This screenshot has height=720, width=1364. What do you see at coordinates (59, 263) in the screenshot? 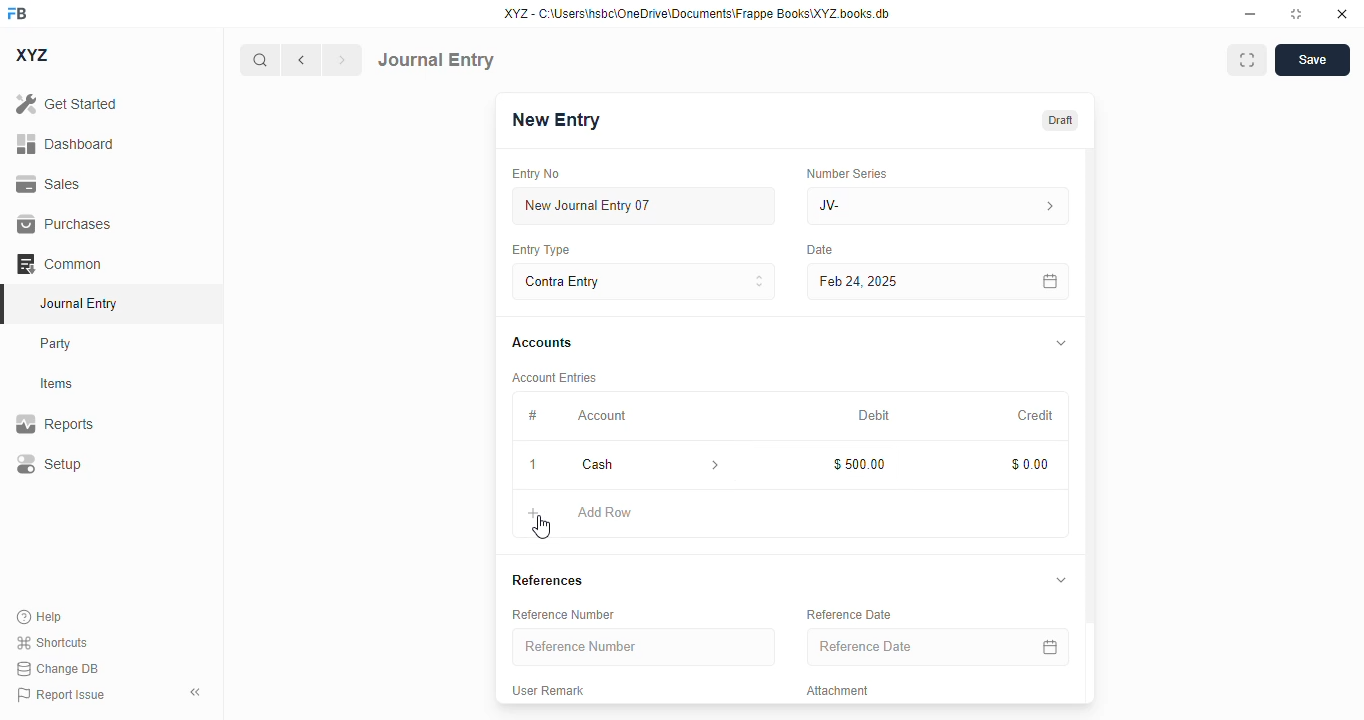
I see `common` at bounding box center [59, 263].